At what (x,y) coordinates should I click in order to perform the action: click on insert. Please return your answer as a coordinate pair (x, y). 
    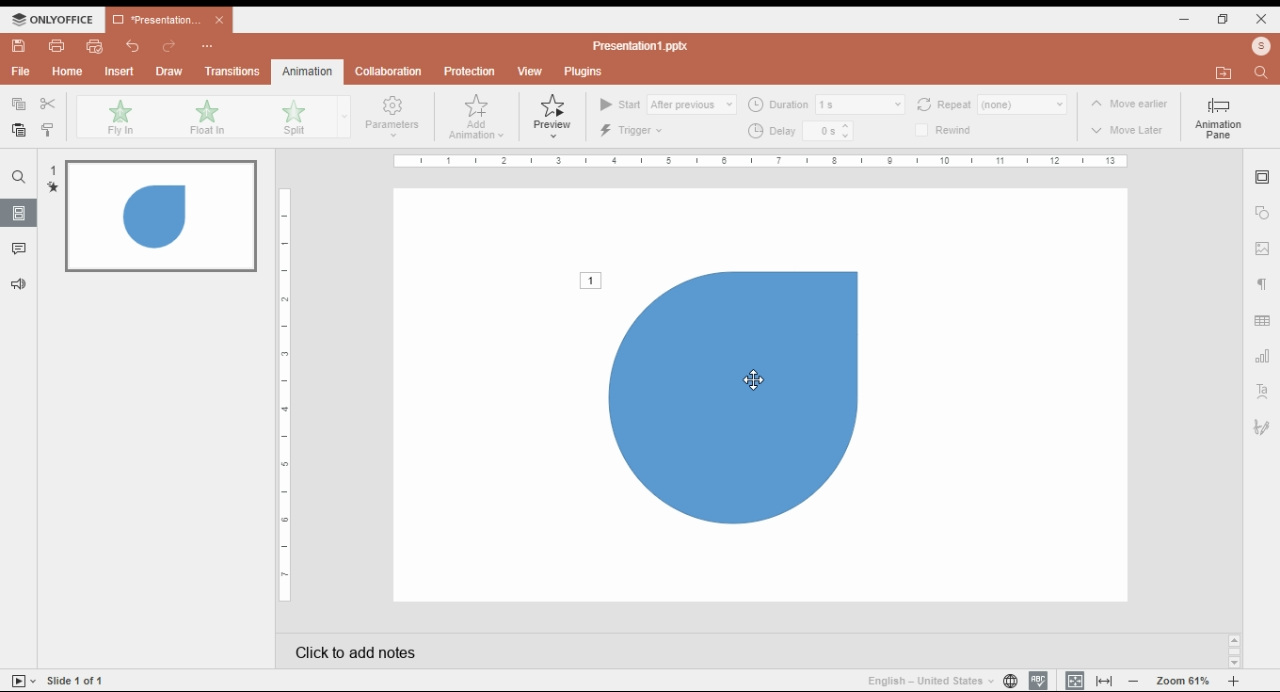
    Looking at the image, I should click on (120, 71).